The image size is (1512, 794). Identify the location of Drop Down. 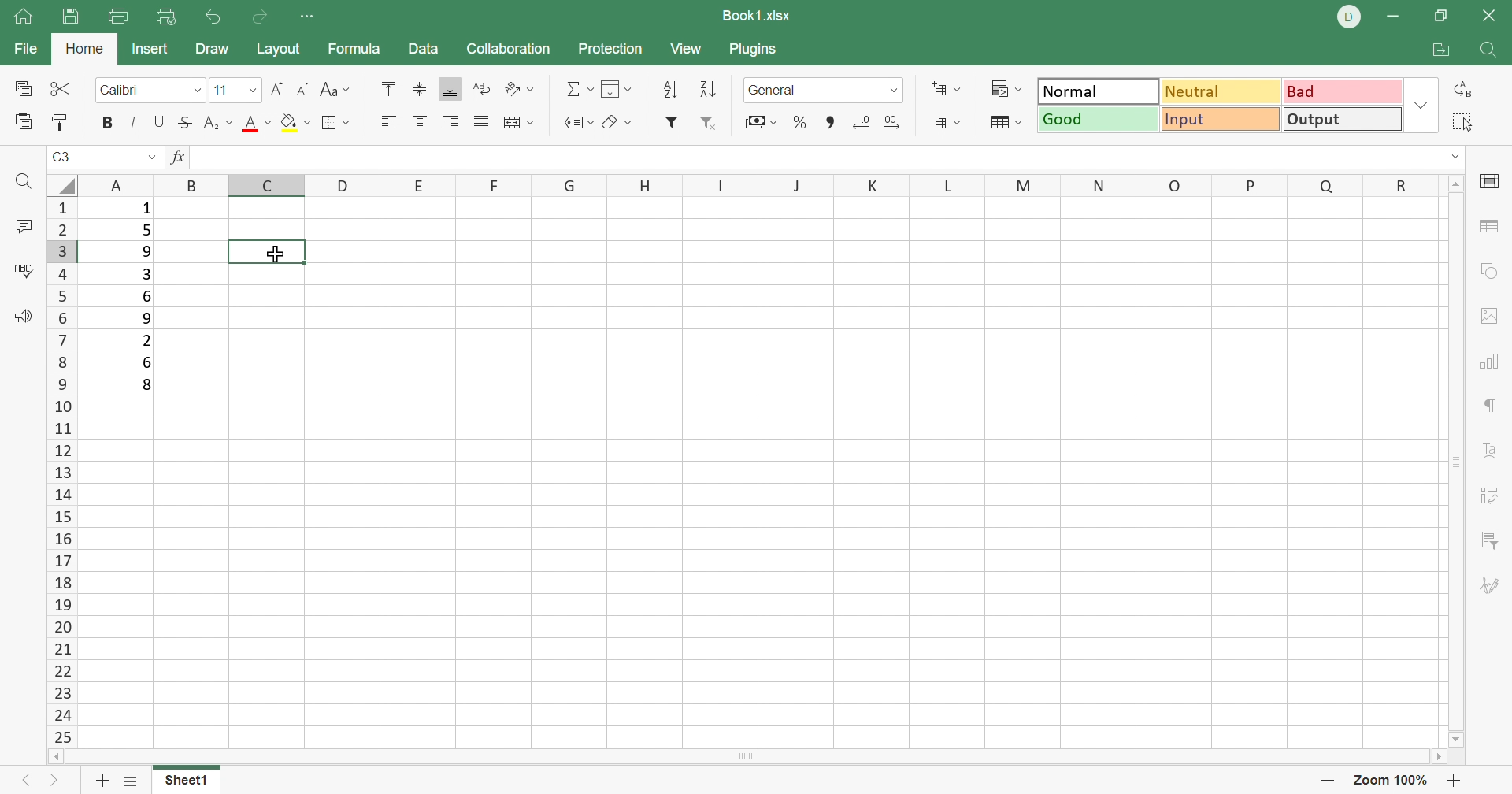
(152, 156).